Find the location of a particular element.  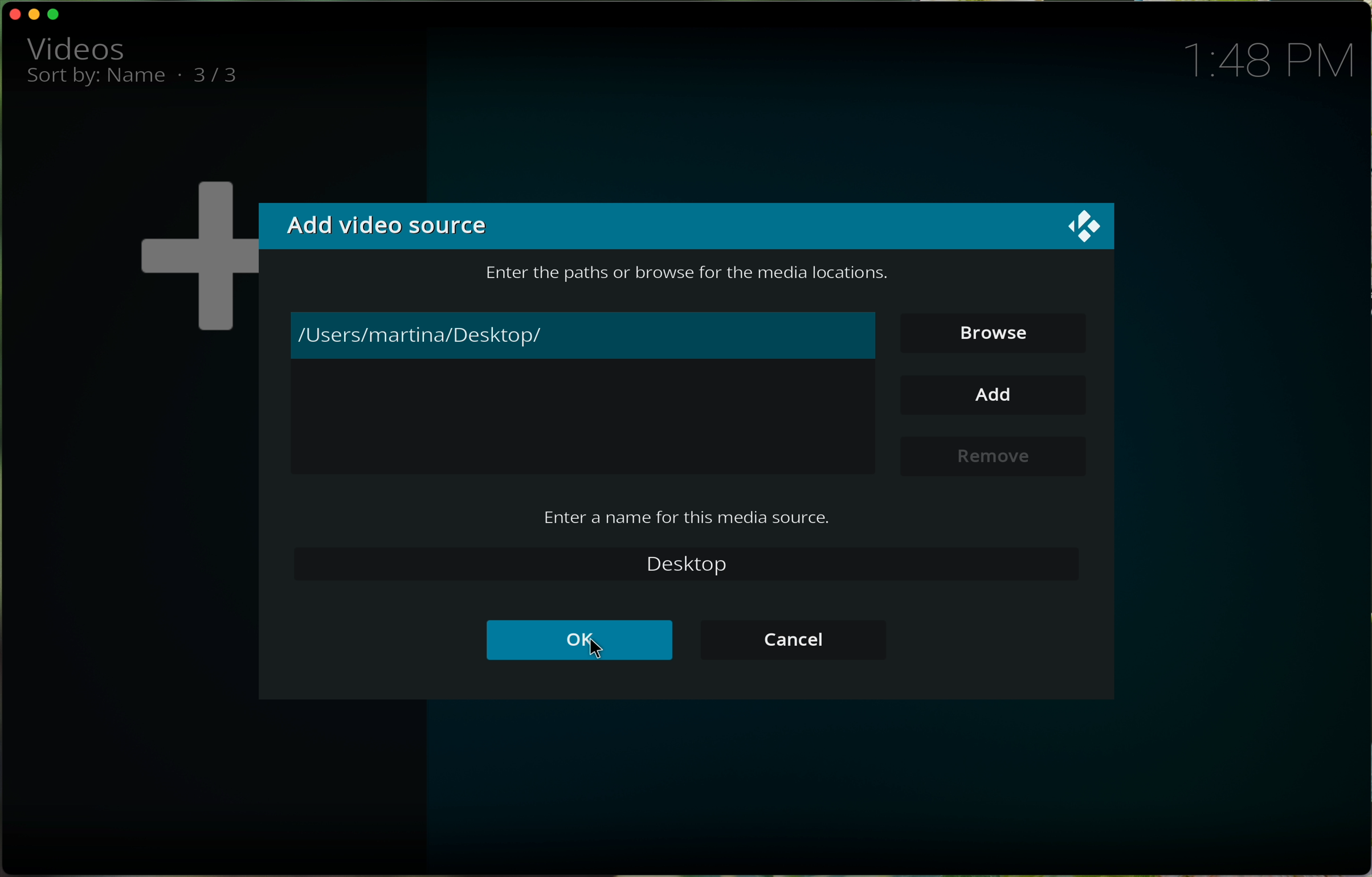

text is located at coordinates (677, 270).